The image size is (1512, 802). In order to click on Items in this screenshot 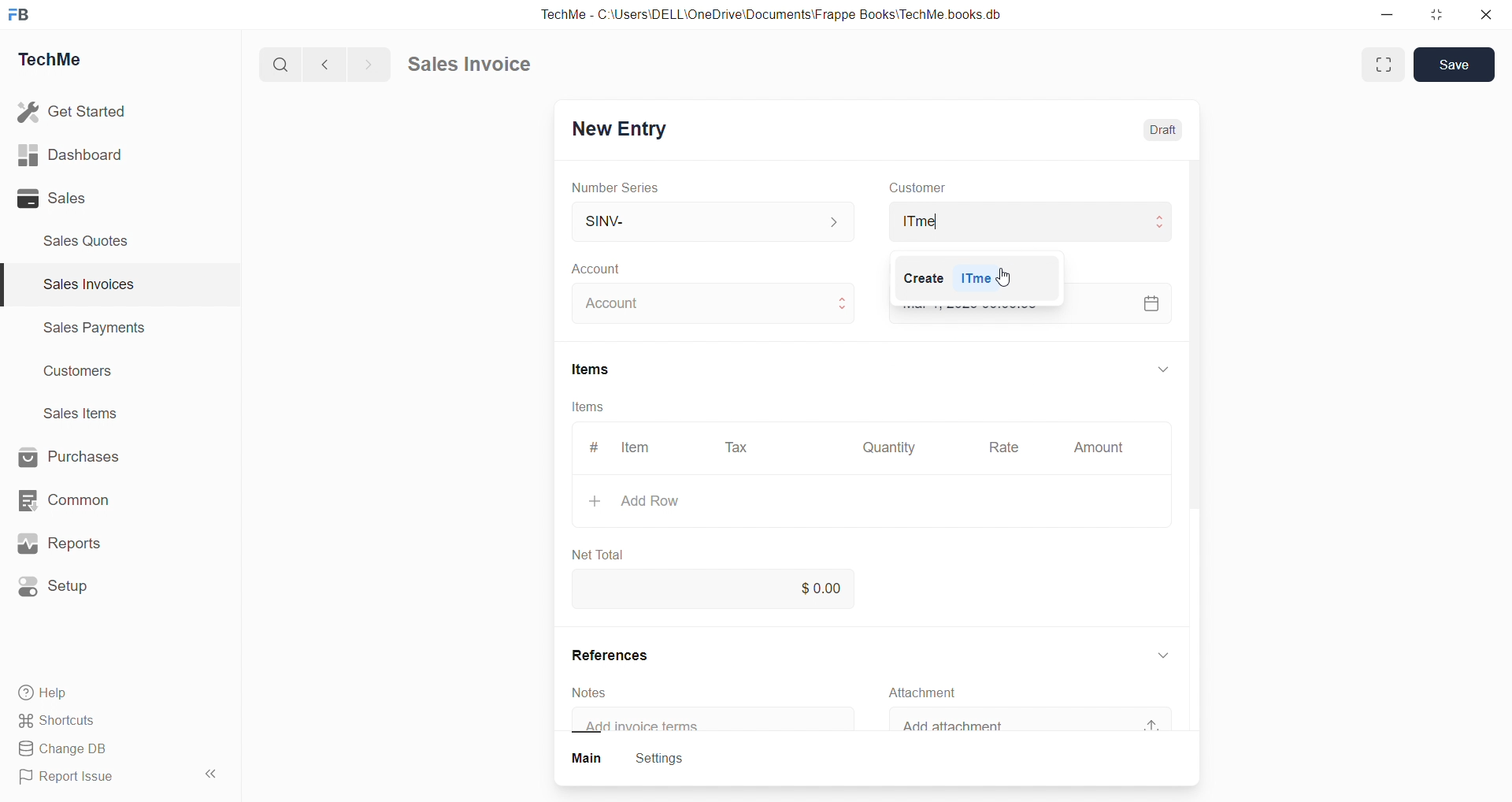, I will do `click(590, 407)`.